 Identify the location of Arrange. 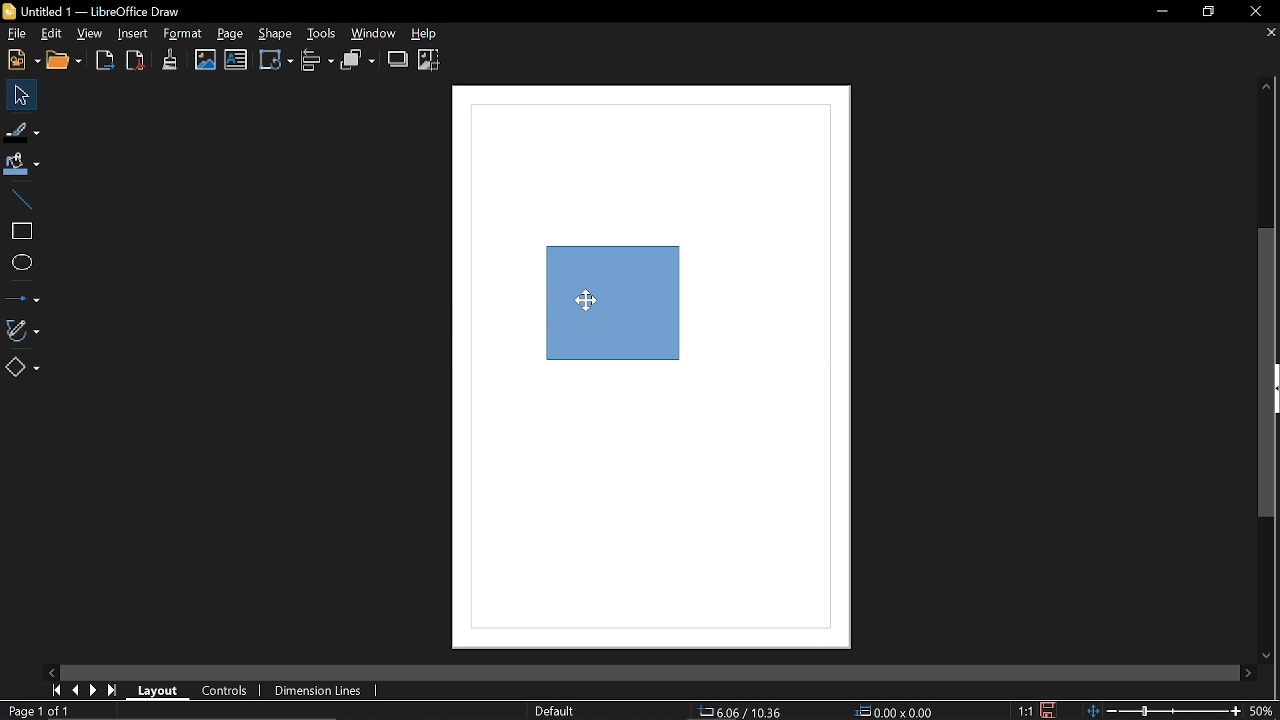
(359, 60).